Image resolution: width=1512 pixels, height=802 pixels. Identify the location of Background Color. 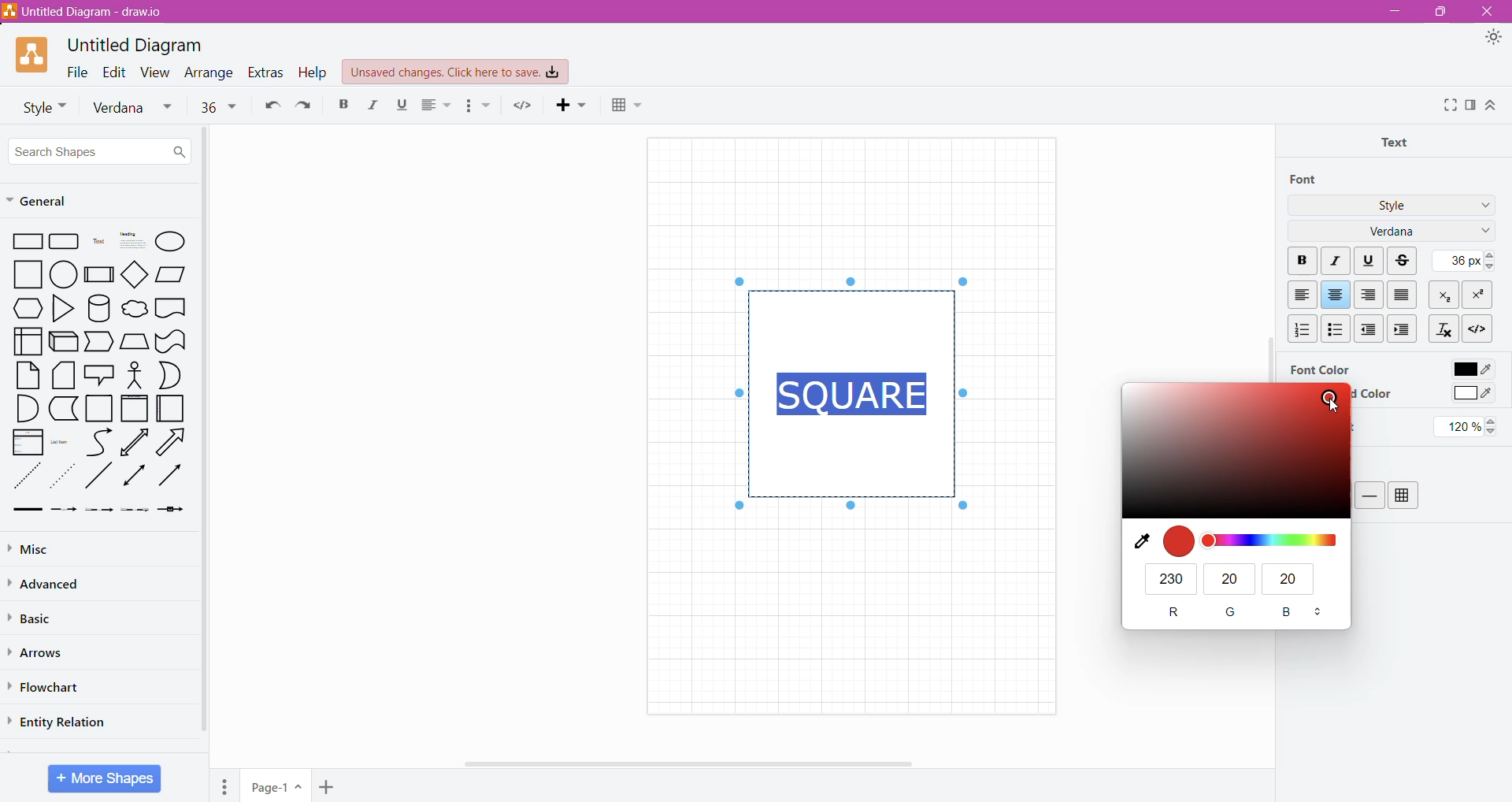
(1374, 394).